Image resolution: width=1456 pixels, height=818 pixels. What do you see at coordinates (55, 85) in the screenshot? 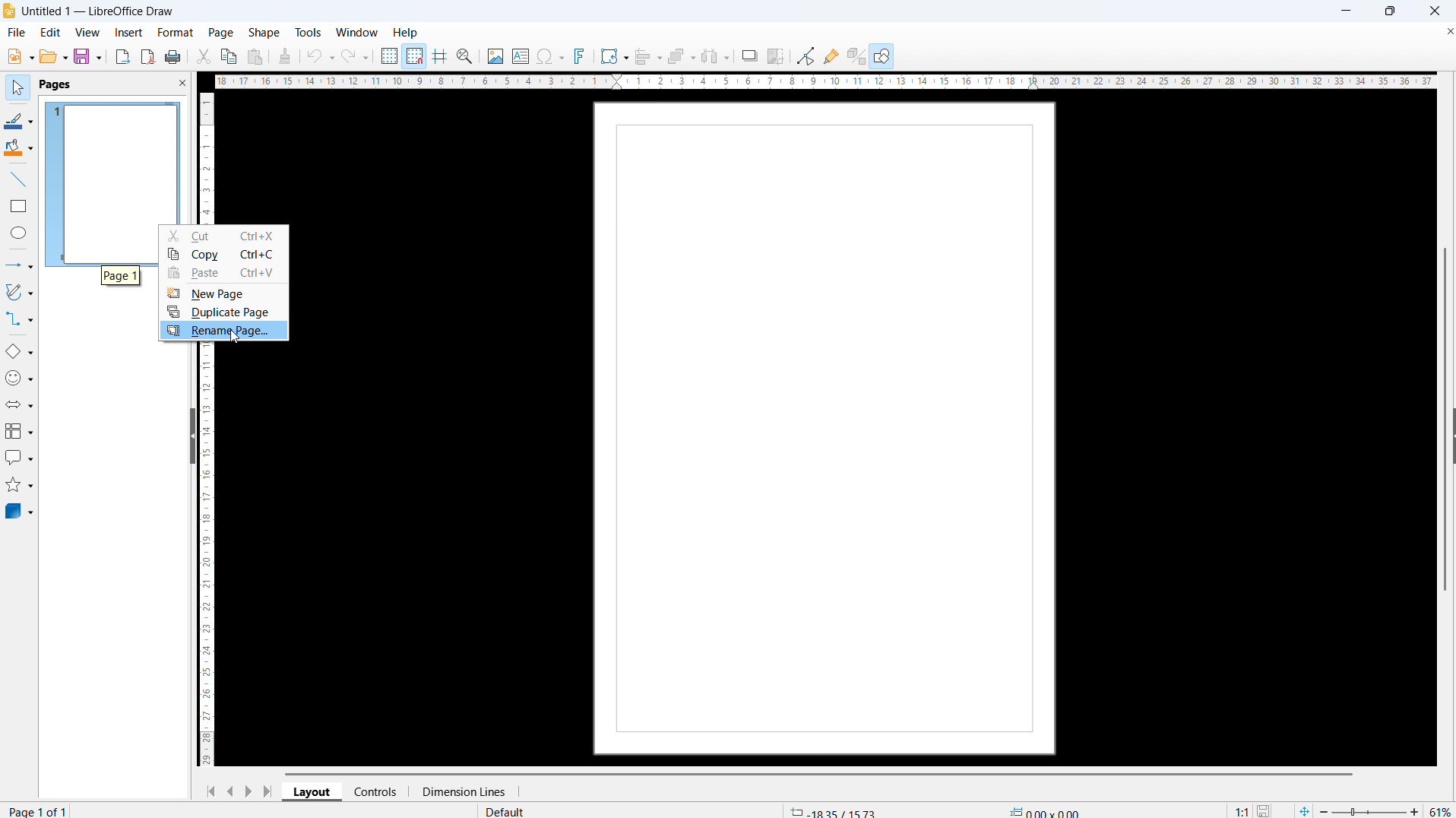
I see `pages` at bounding box center [55, 85].